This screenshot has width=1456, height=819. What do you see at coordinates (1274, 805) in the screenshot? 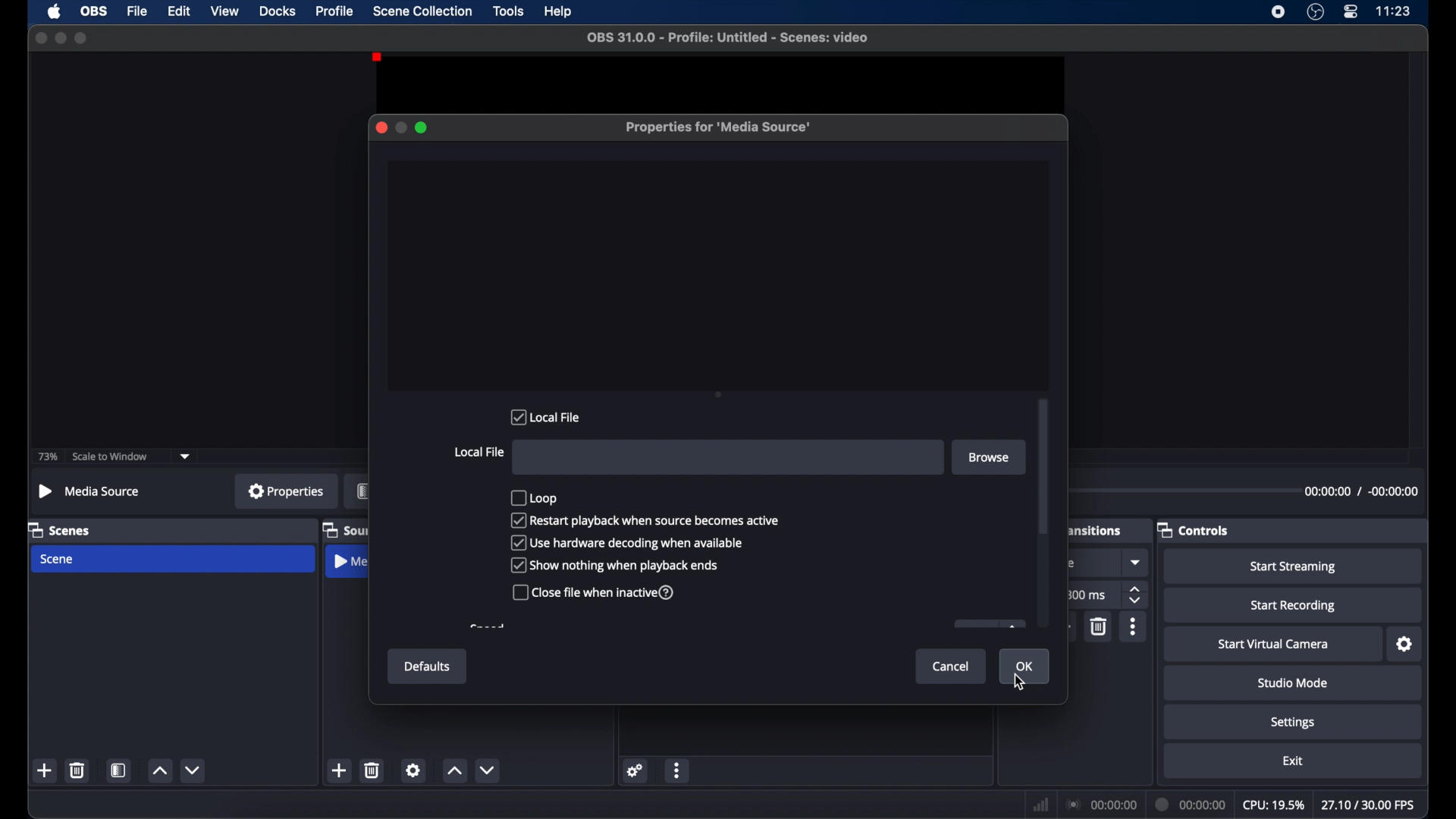
I see `cpu` at bounding box center [1274, 805].